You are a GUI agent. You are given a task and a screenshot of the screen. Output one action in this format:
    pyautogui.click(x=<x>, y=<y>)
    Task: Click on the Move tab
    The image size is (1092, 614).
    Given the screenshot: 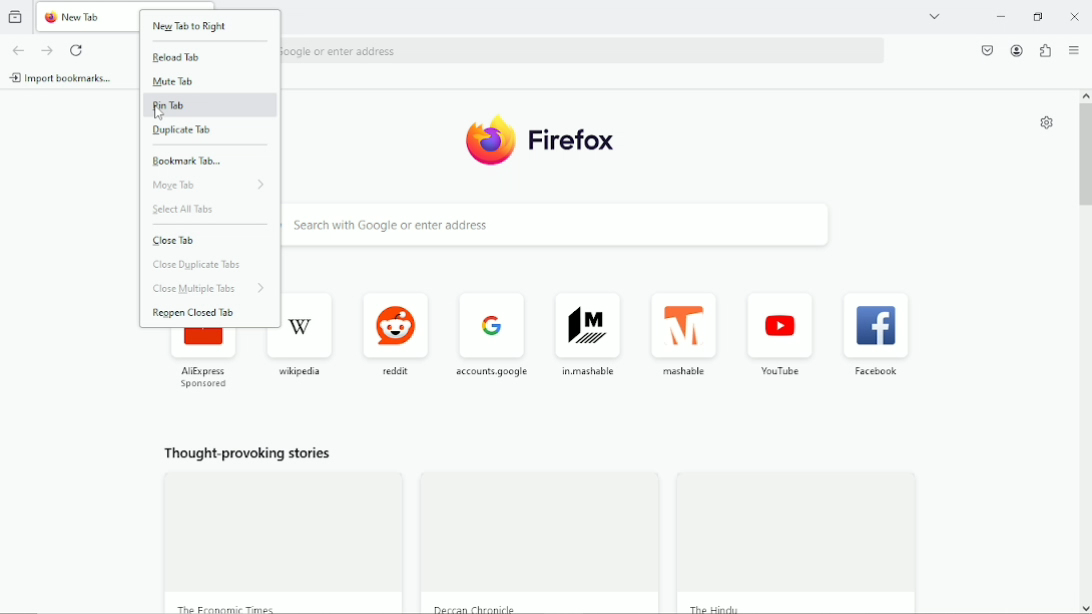 What is the action you would take?
    pyautogui.click(x=211, y=186)
    